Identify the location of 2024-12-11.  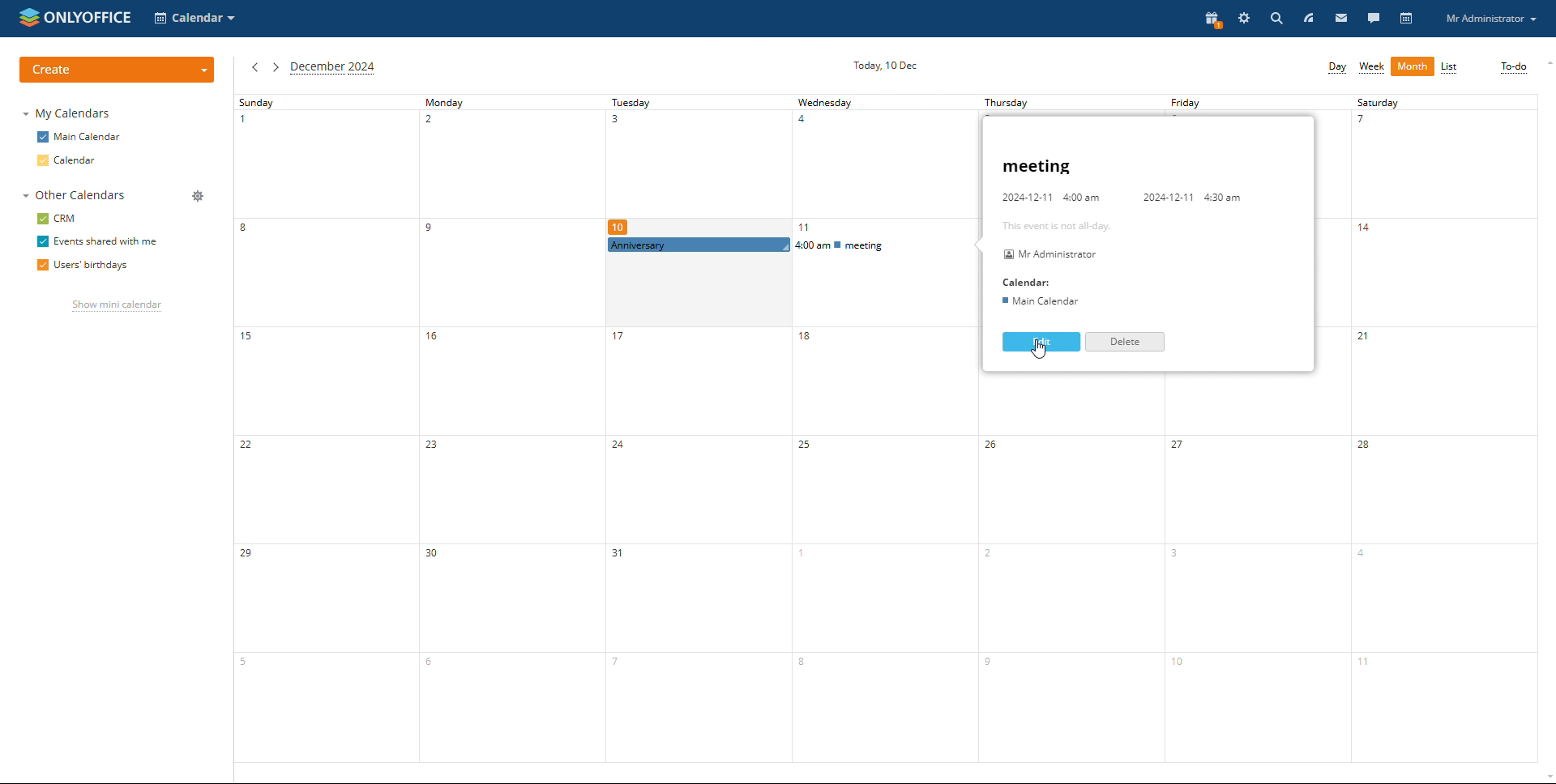
(1024, 198).